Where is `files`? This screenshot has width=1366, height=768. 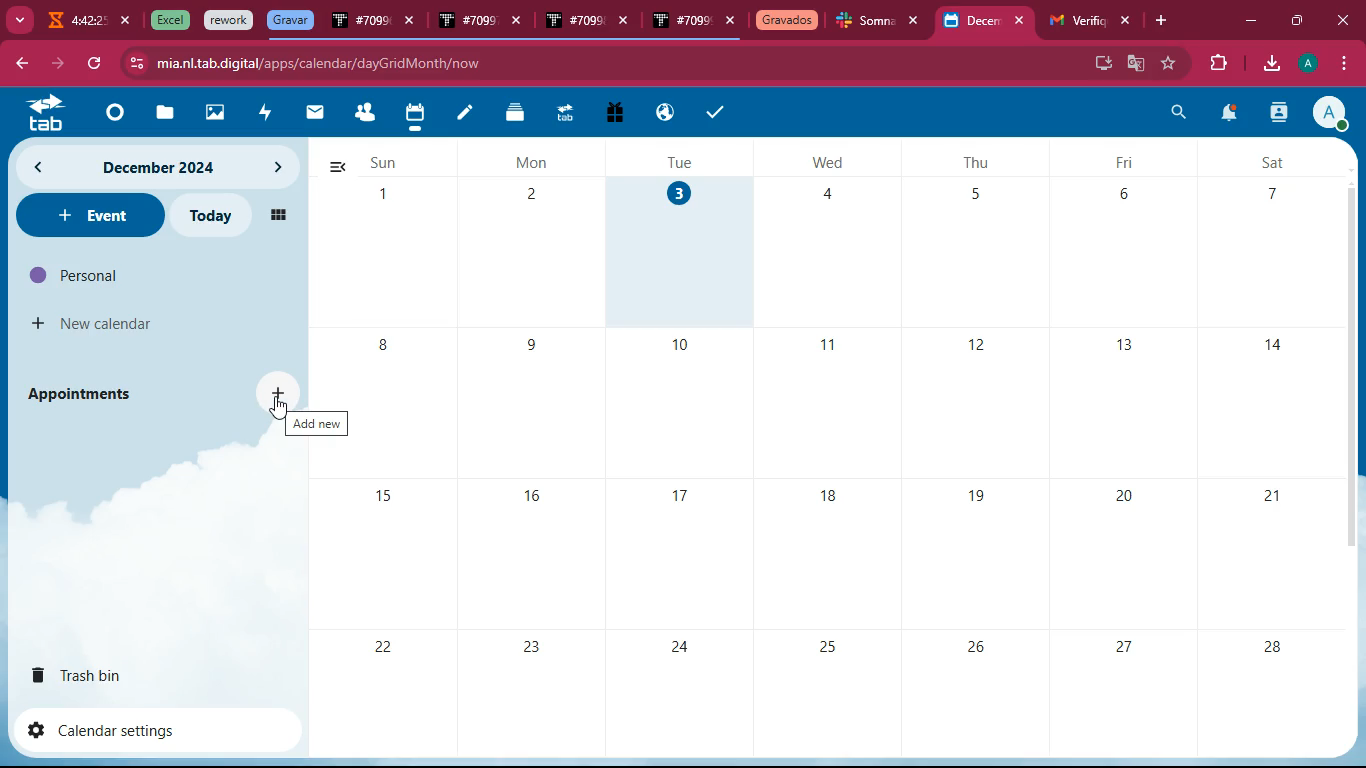 files is located at coordinates (161, 114).